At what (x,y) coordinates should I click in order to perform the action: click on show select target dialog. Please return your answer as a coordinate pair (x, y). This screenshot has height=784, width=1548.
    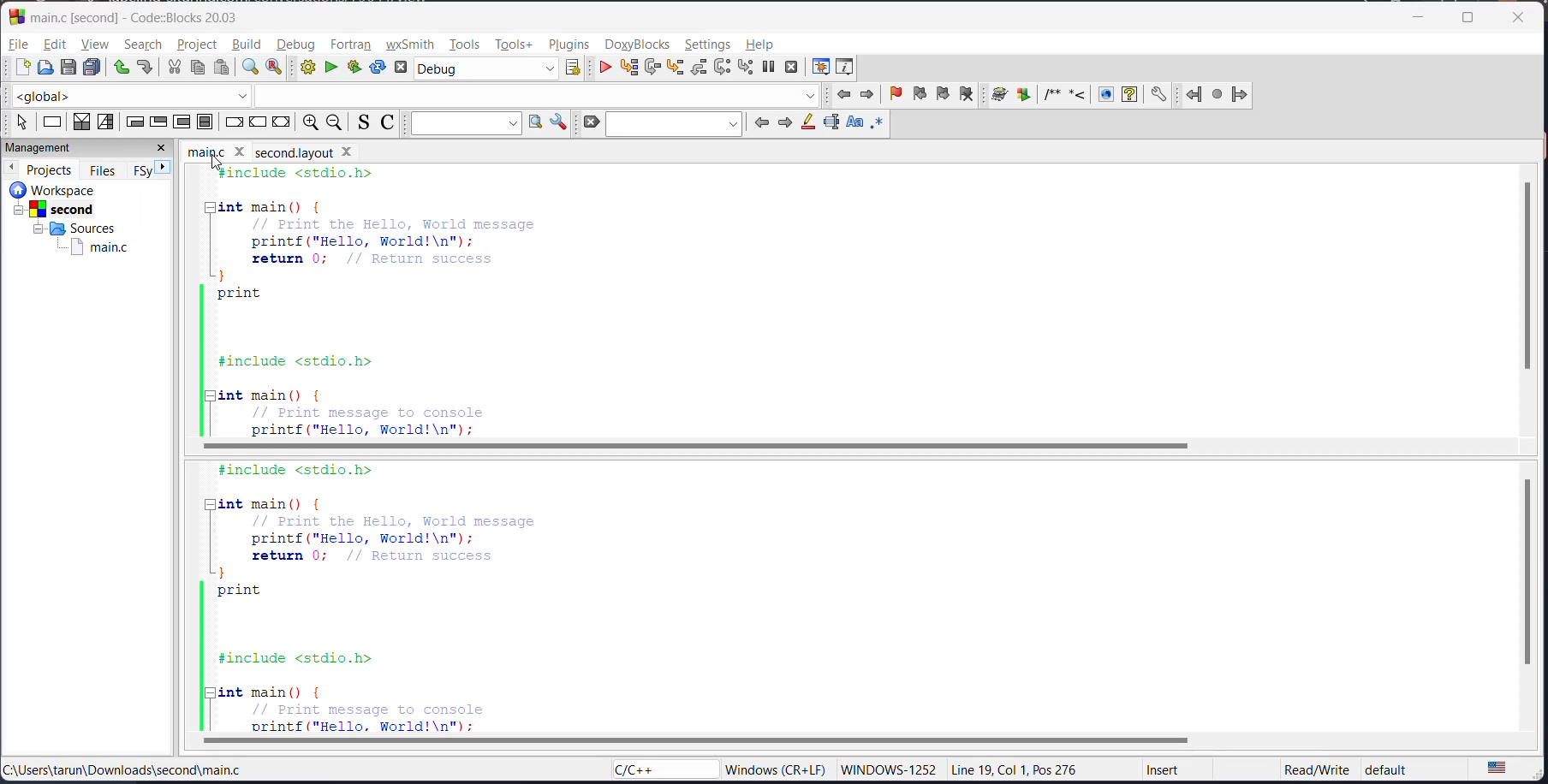
    Looking at the image, I should click on (568, 68).